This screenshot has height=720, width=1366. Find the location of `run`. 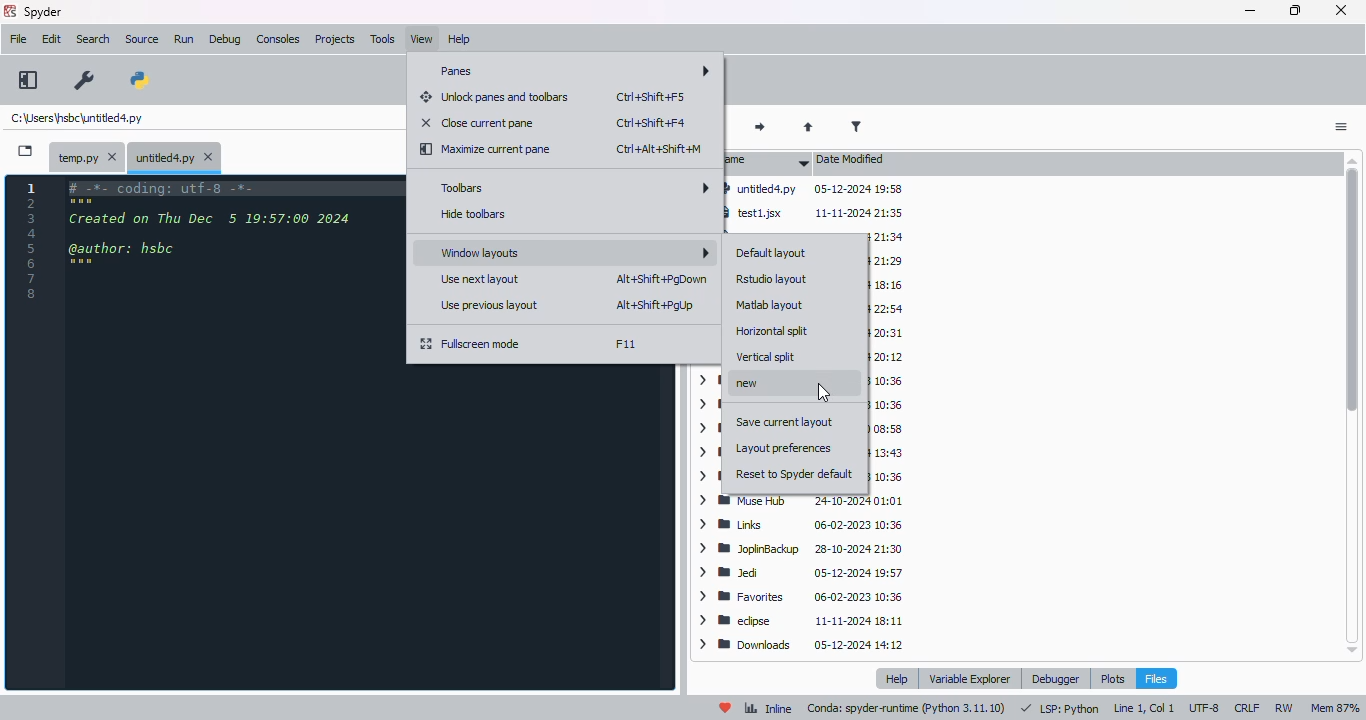

run is located at coordinates (184, 39).